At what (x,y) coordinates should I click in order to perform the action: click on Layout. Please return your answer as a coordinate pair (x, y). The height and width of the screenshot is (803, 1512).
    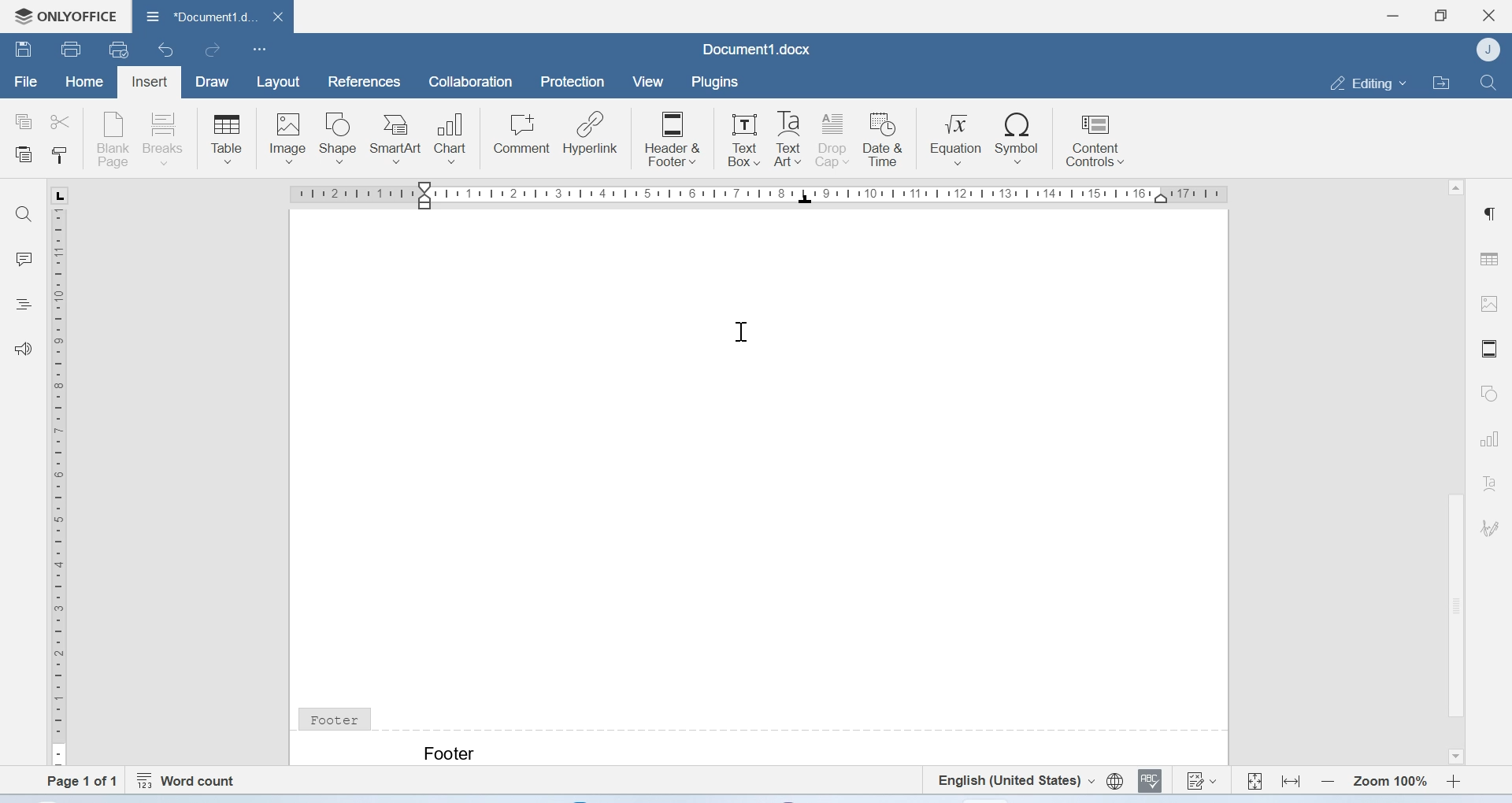
    Looking at the image, I should click on (279, 82).